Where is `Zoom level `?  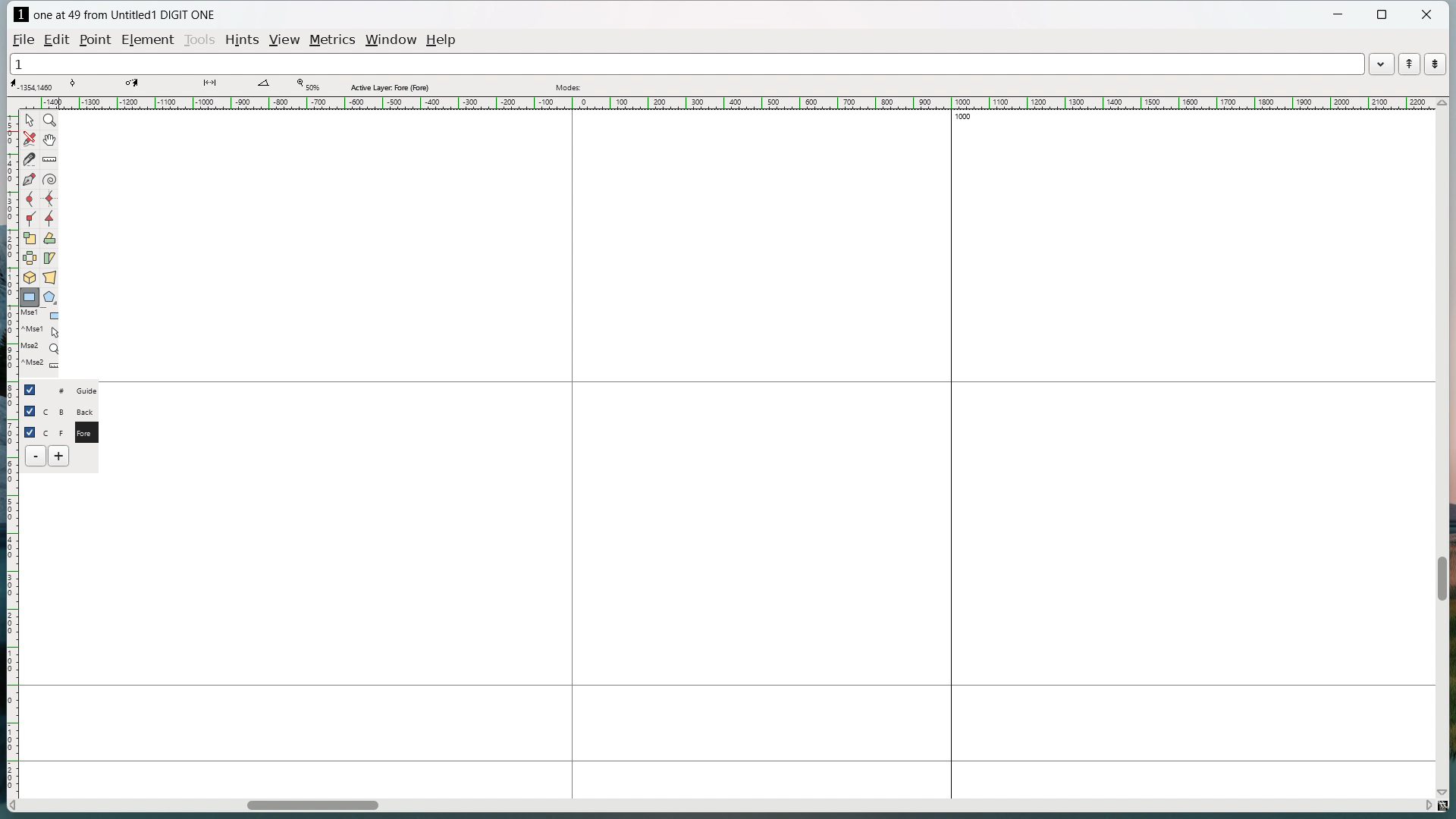
Zoom level  is located at coordinates (307, 85).